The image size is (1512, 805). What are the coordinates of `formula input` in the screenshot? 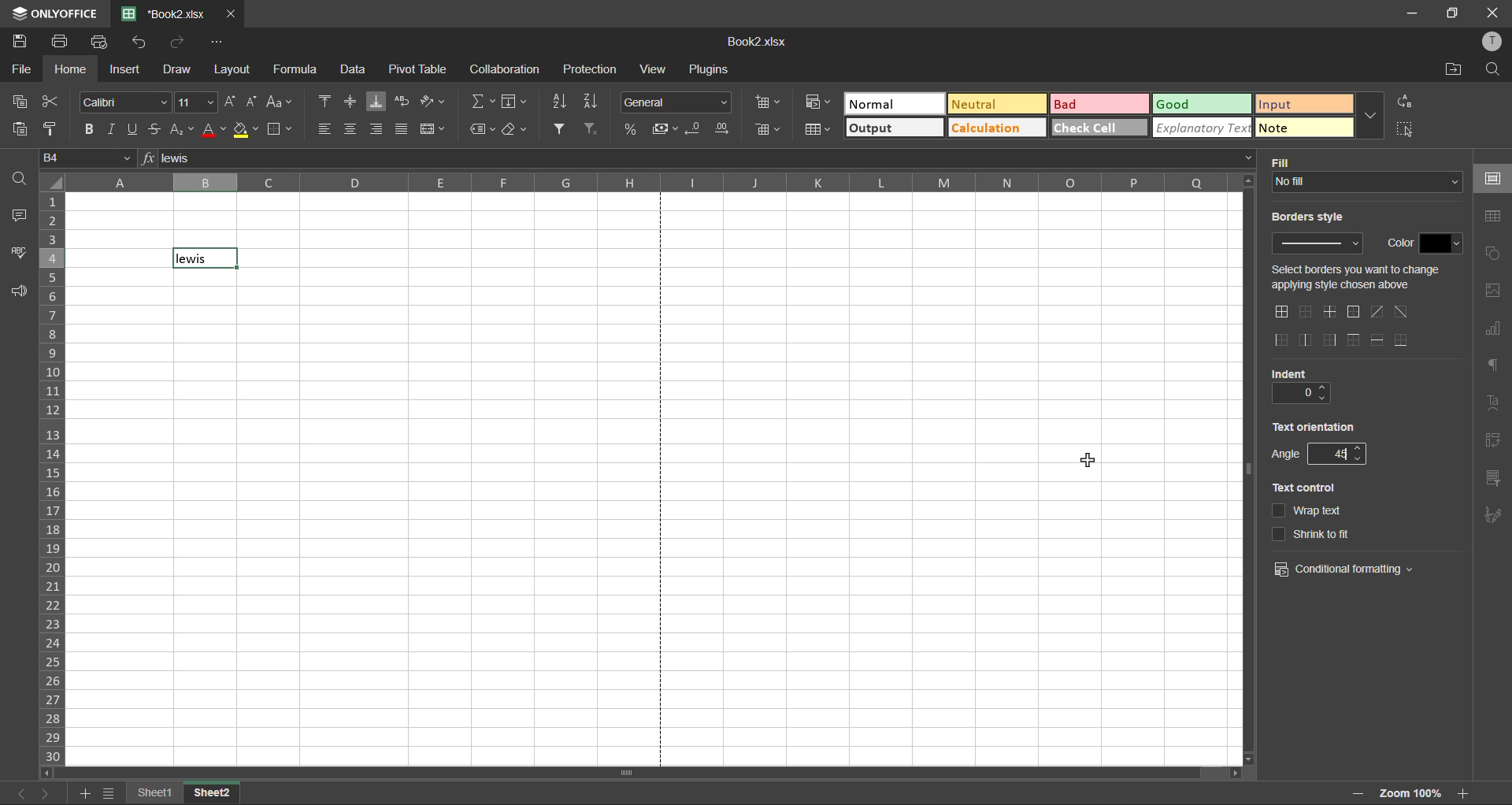 It's located at (145, 160).